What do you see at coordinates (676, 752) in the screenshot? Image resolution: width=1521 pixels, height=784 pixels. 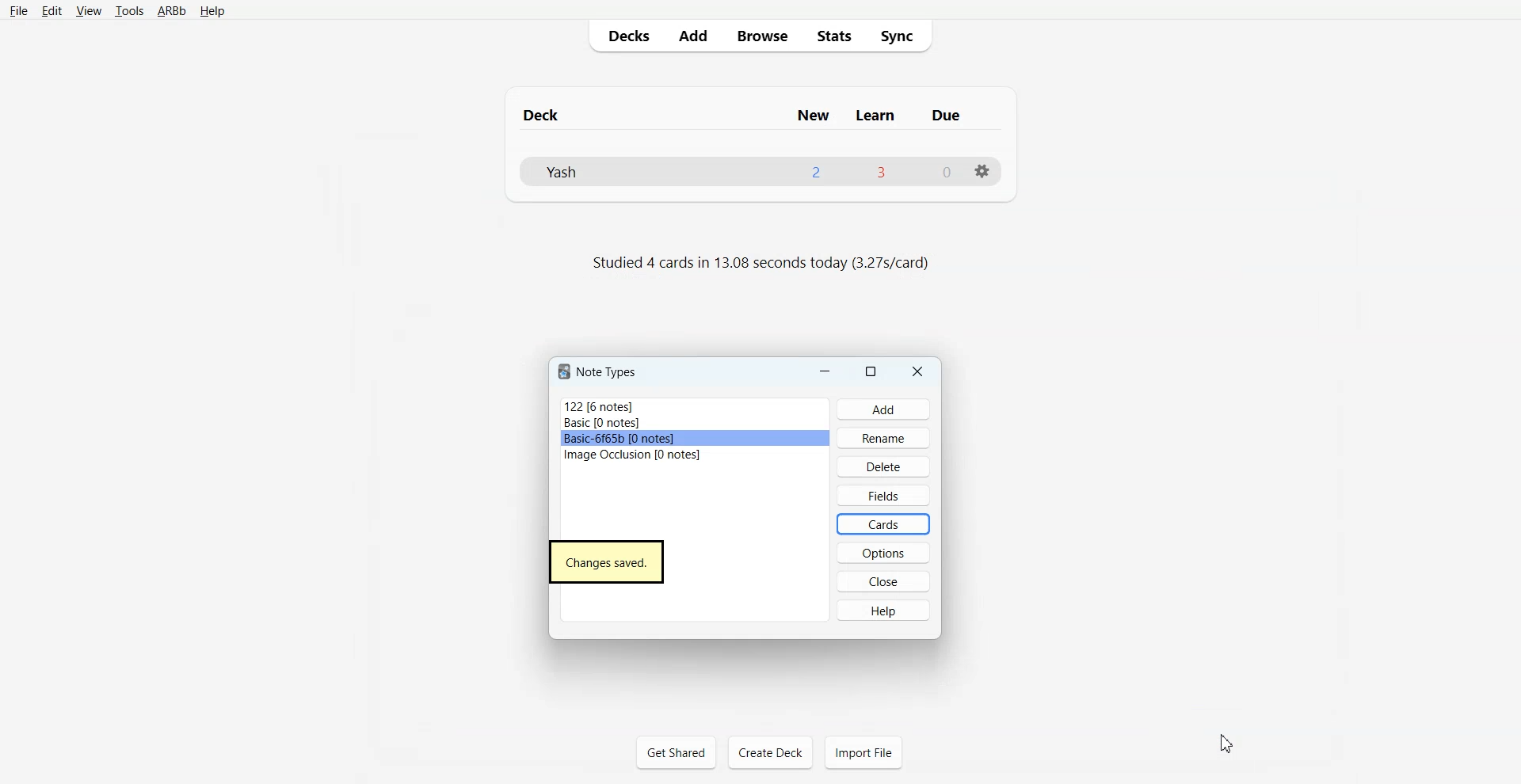 I see `Get Shared` at bounding box center [676, 752].